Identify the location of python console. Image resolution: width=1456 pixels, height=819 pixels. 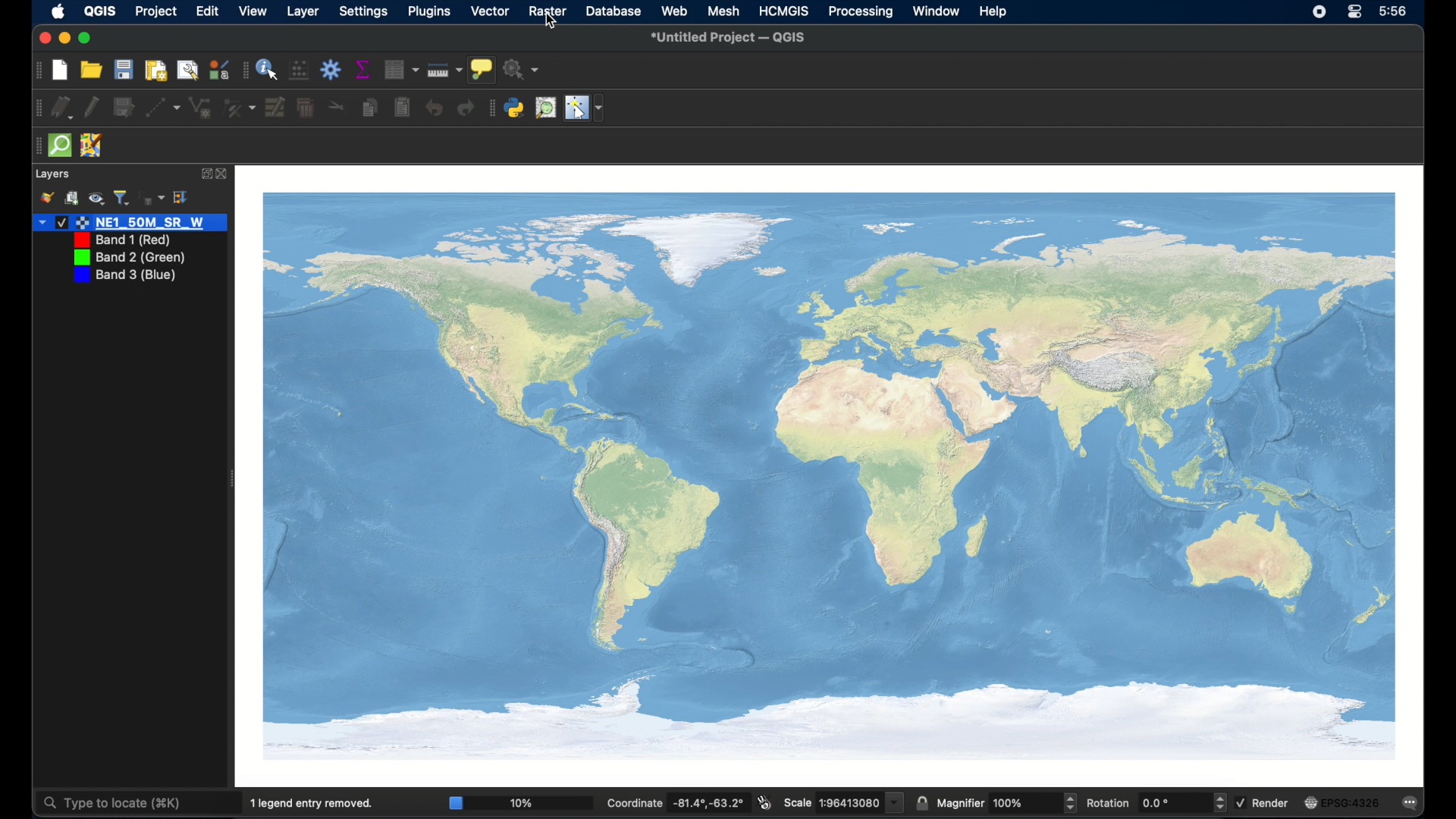
(515, 108).